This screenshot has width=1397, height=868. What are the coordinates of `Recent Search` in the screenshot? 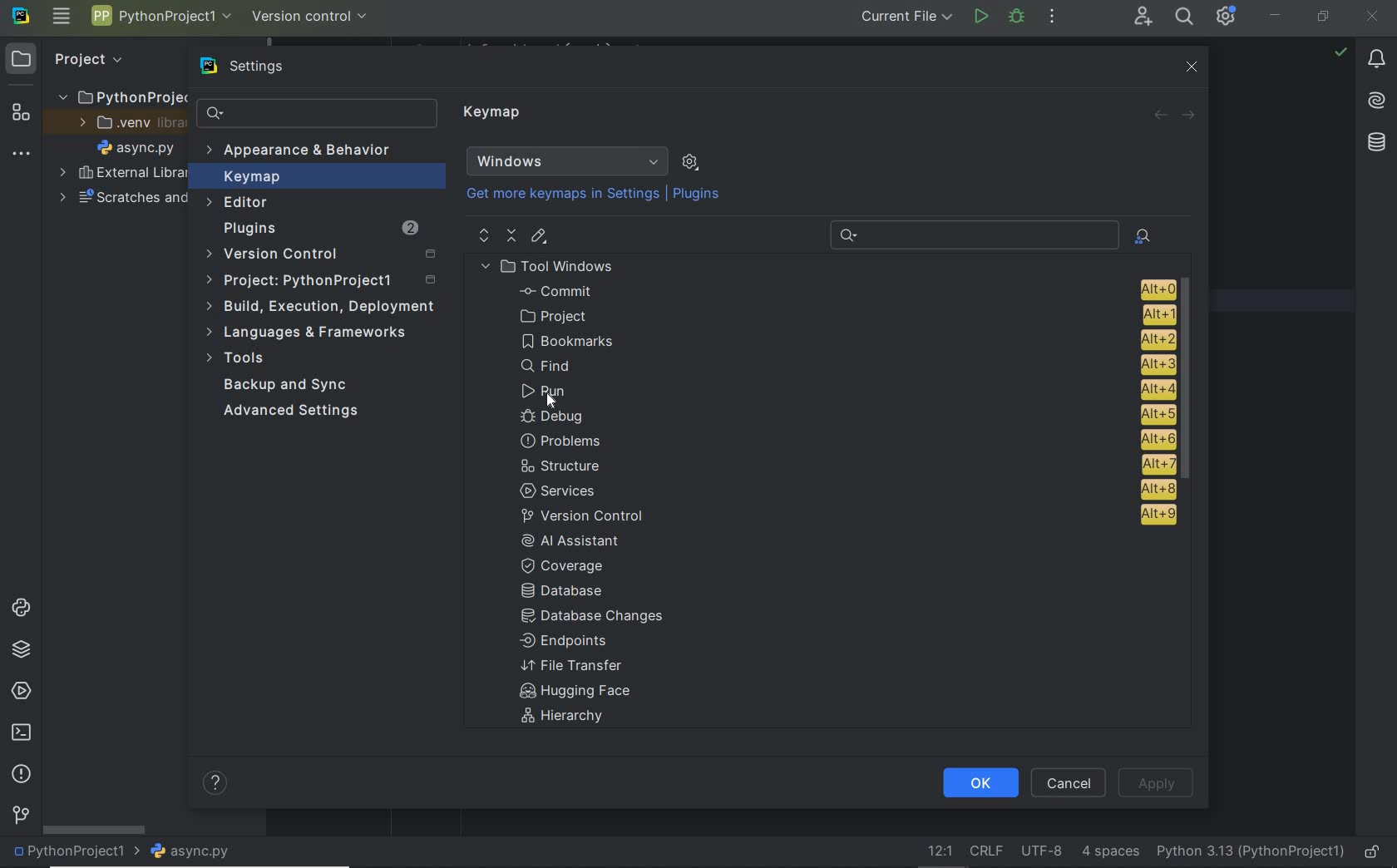 It's located at (971, 233).